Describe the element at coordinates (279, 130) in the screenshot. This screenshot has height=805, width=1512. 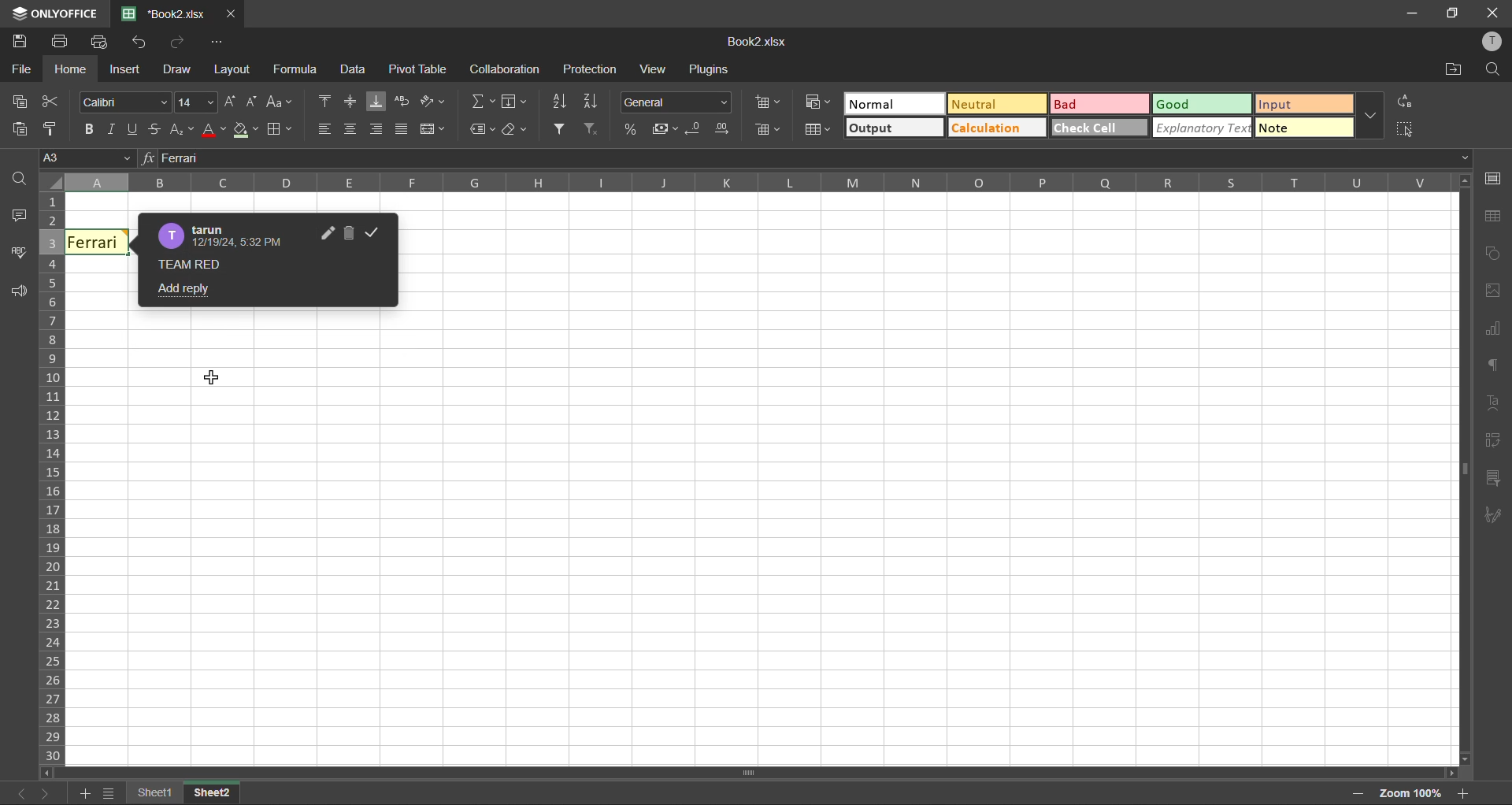
I see `borders` at that location.